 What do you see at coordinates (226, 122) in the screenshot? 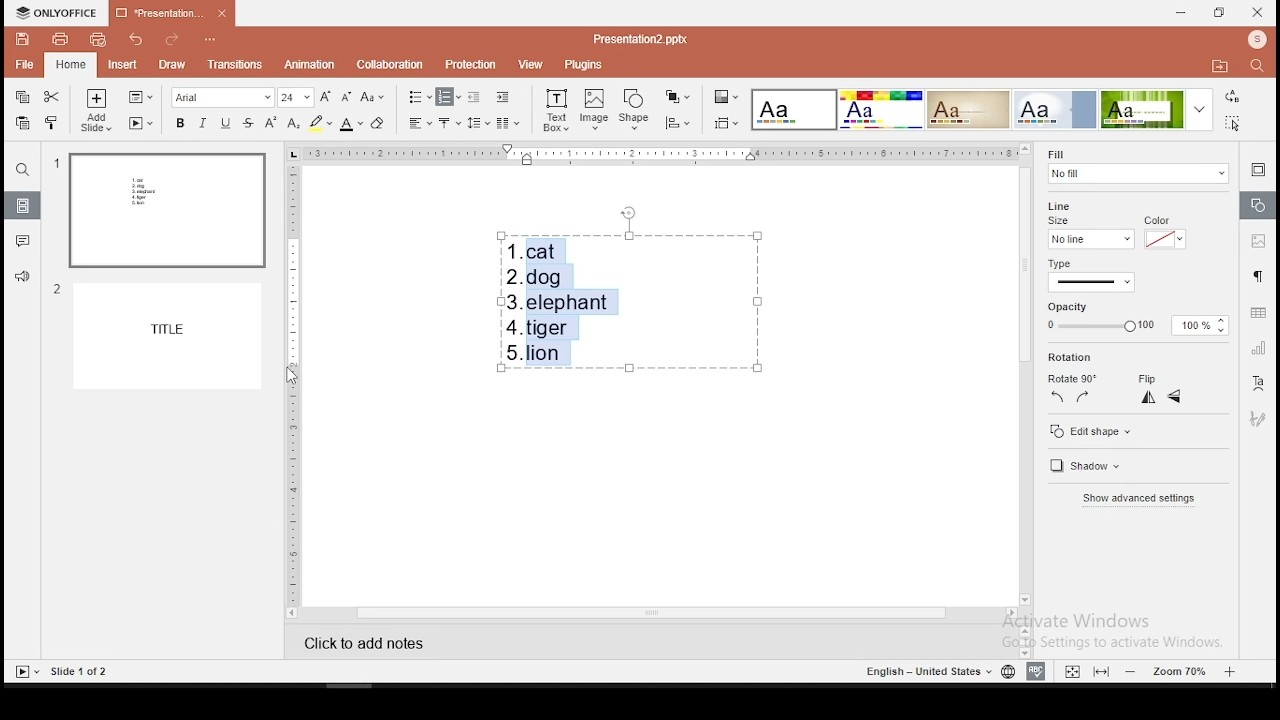
I see `underline` at bounding box center [226, 122].